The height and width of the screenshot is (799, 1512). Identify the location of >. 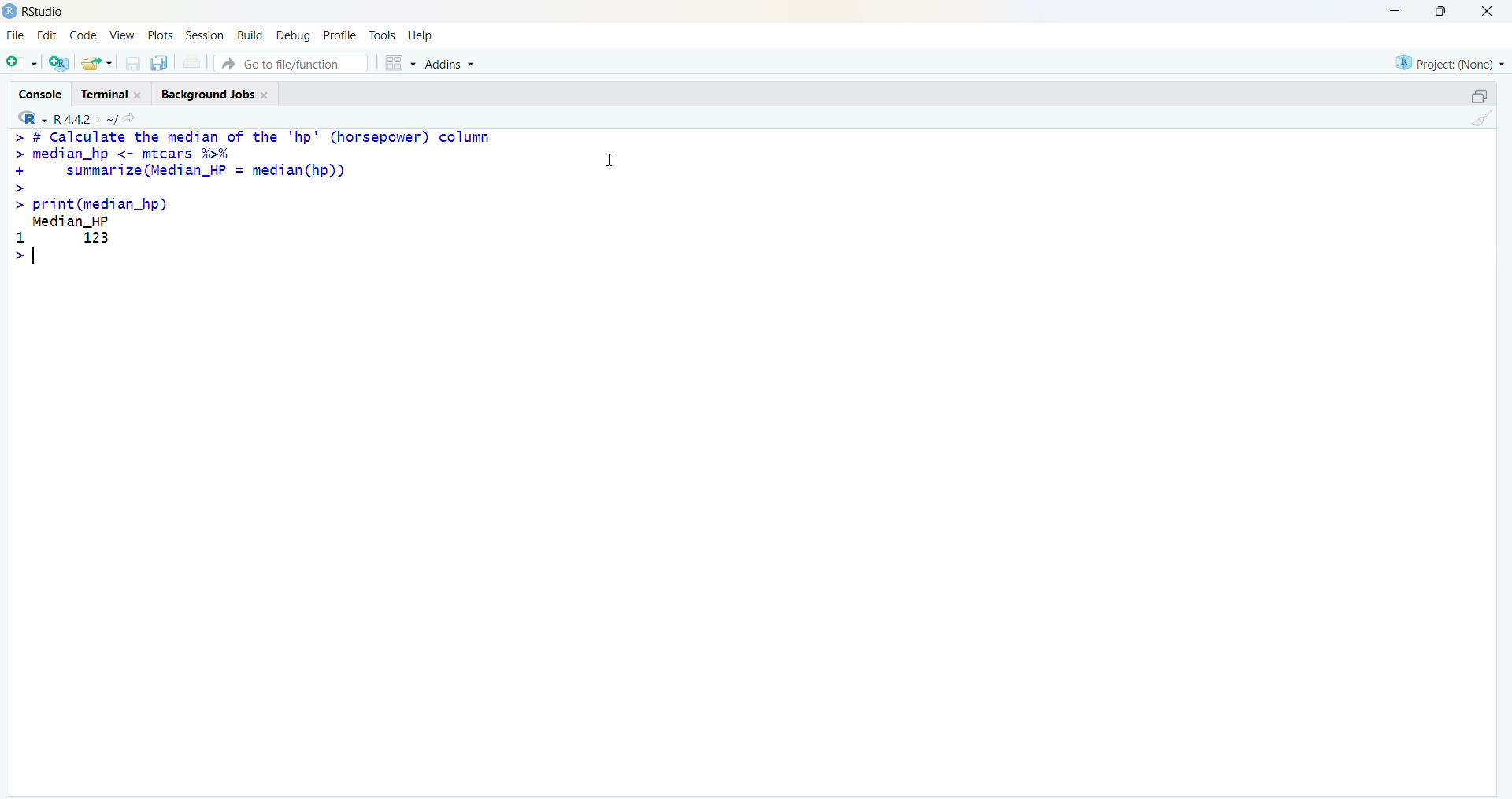
(19, 254).